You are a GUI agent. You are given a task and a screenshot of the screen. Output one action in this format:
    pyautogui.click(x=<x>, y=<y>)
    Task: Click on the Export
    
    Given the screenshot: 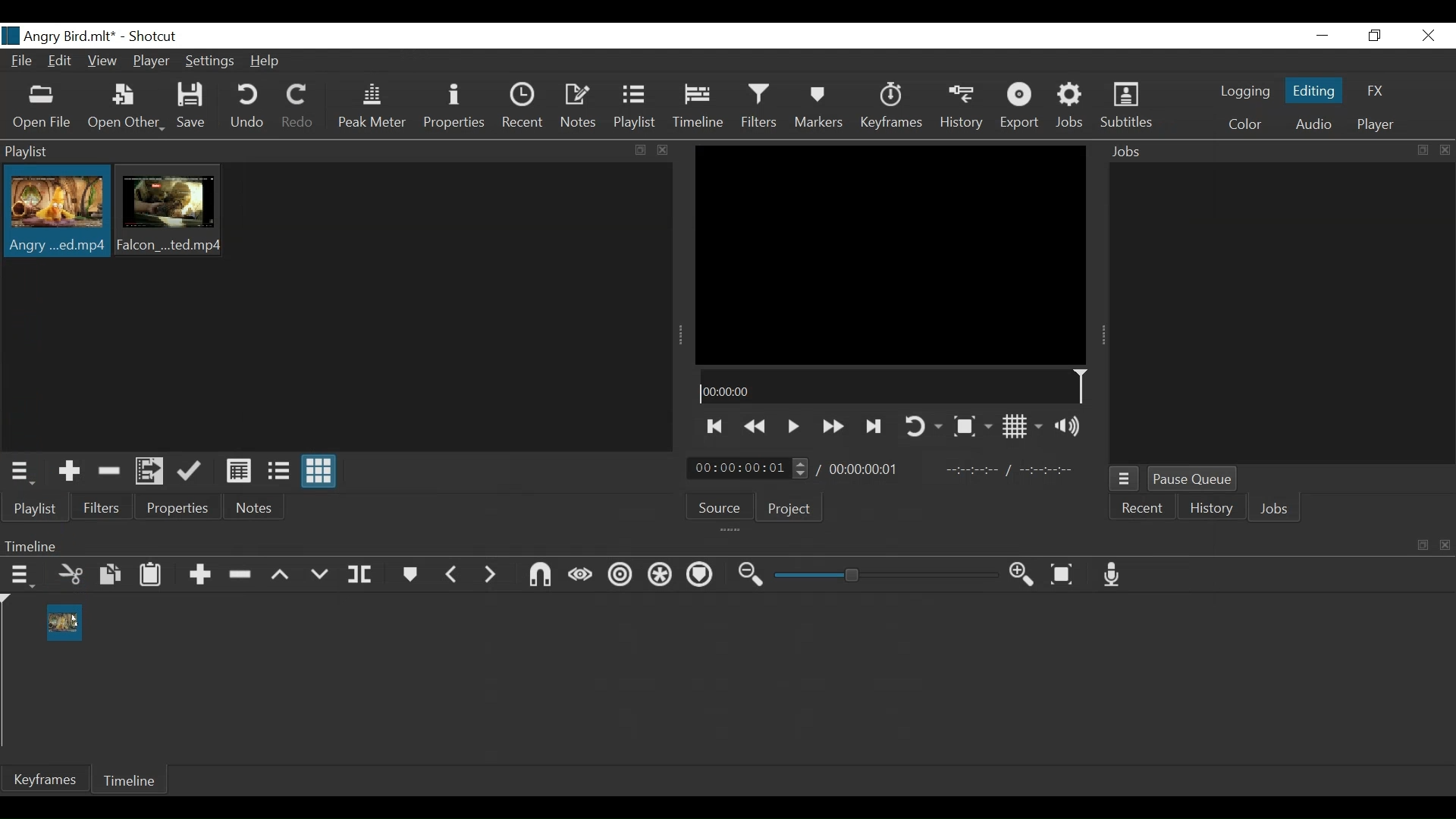 What is the action you would take?
    pyautogui.click(x=1022, y=108)
    